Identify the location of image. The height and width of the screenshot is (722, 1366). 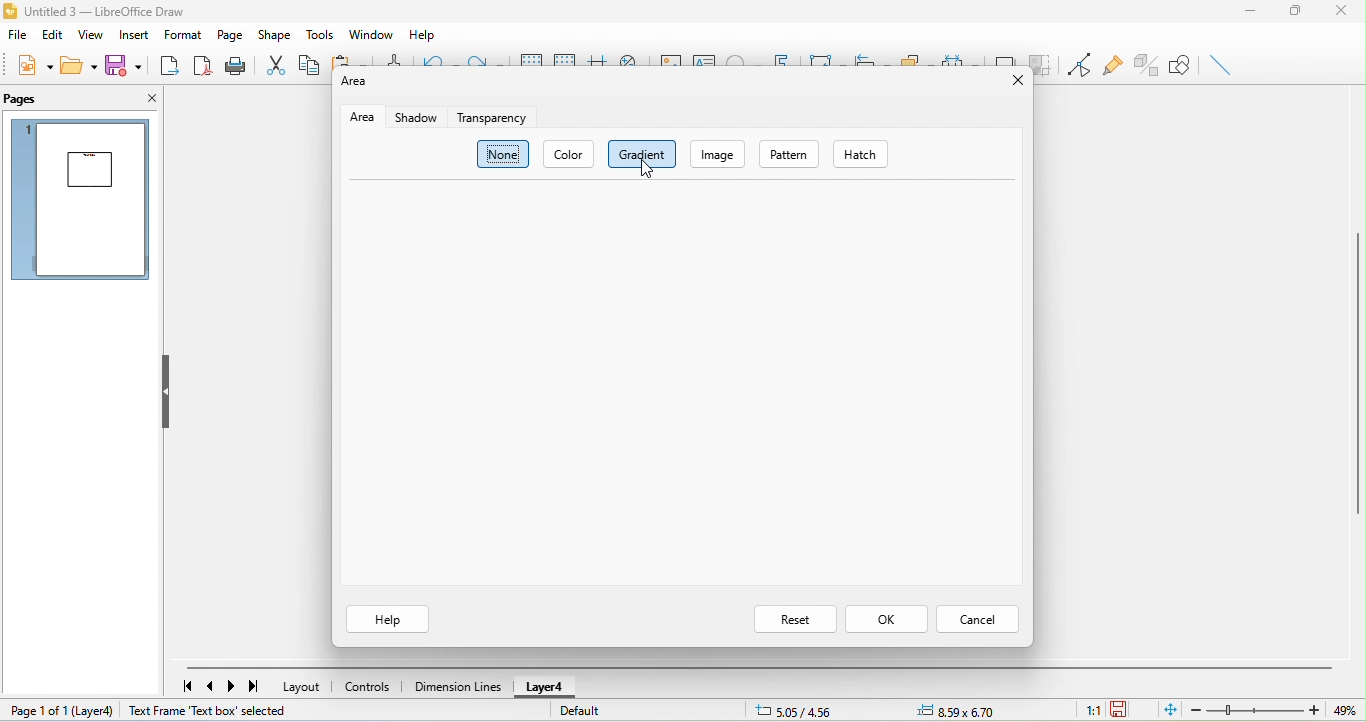
(667, 58).